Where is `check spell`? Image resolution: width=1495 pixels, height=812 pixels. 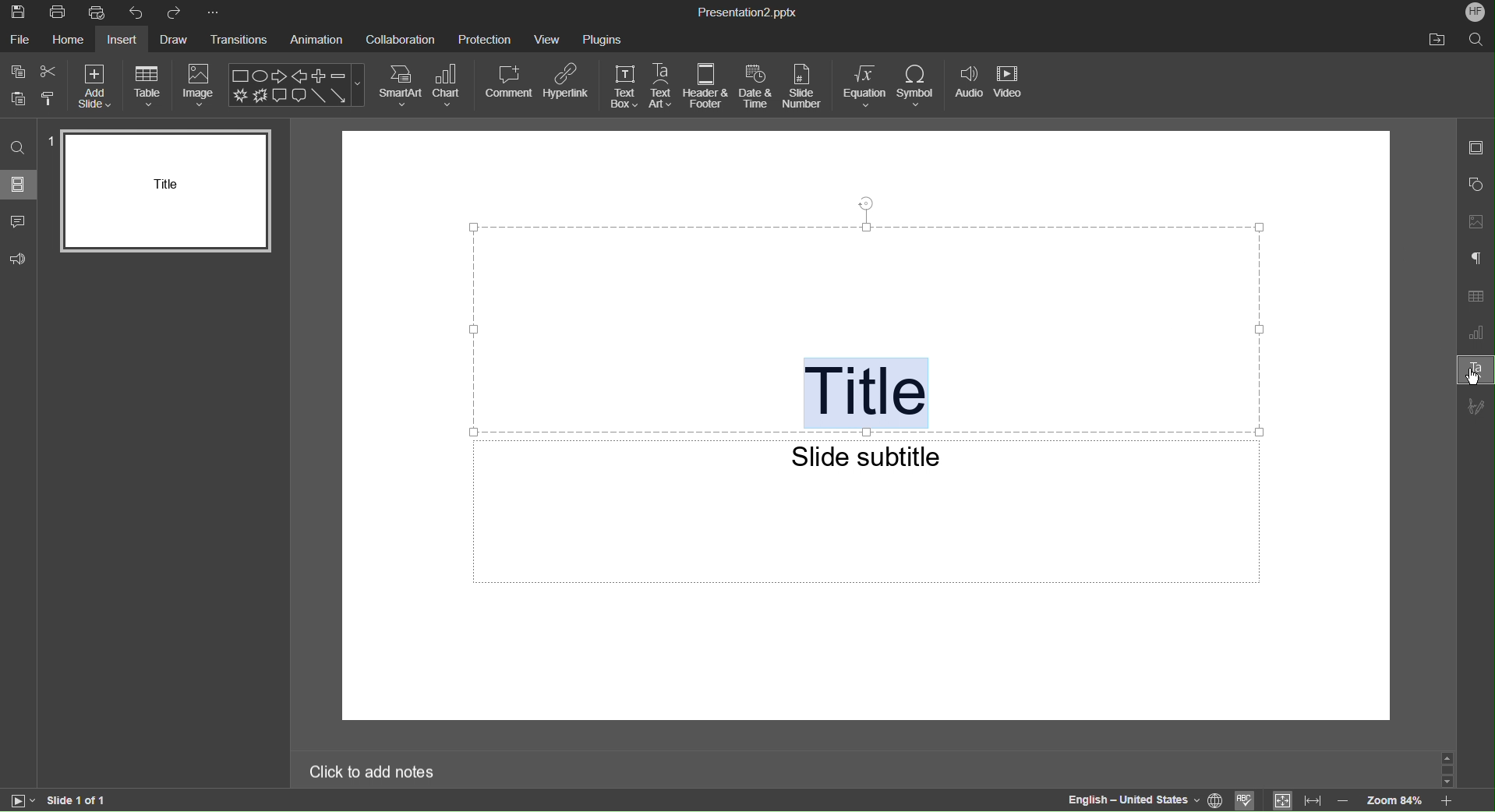 check spell is located at coordinates (1246, 800).